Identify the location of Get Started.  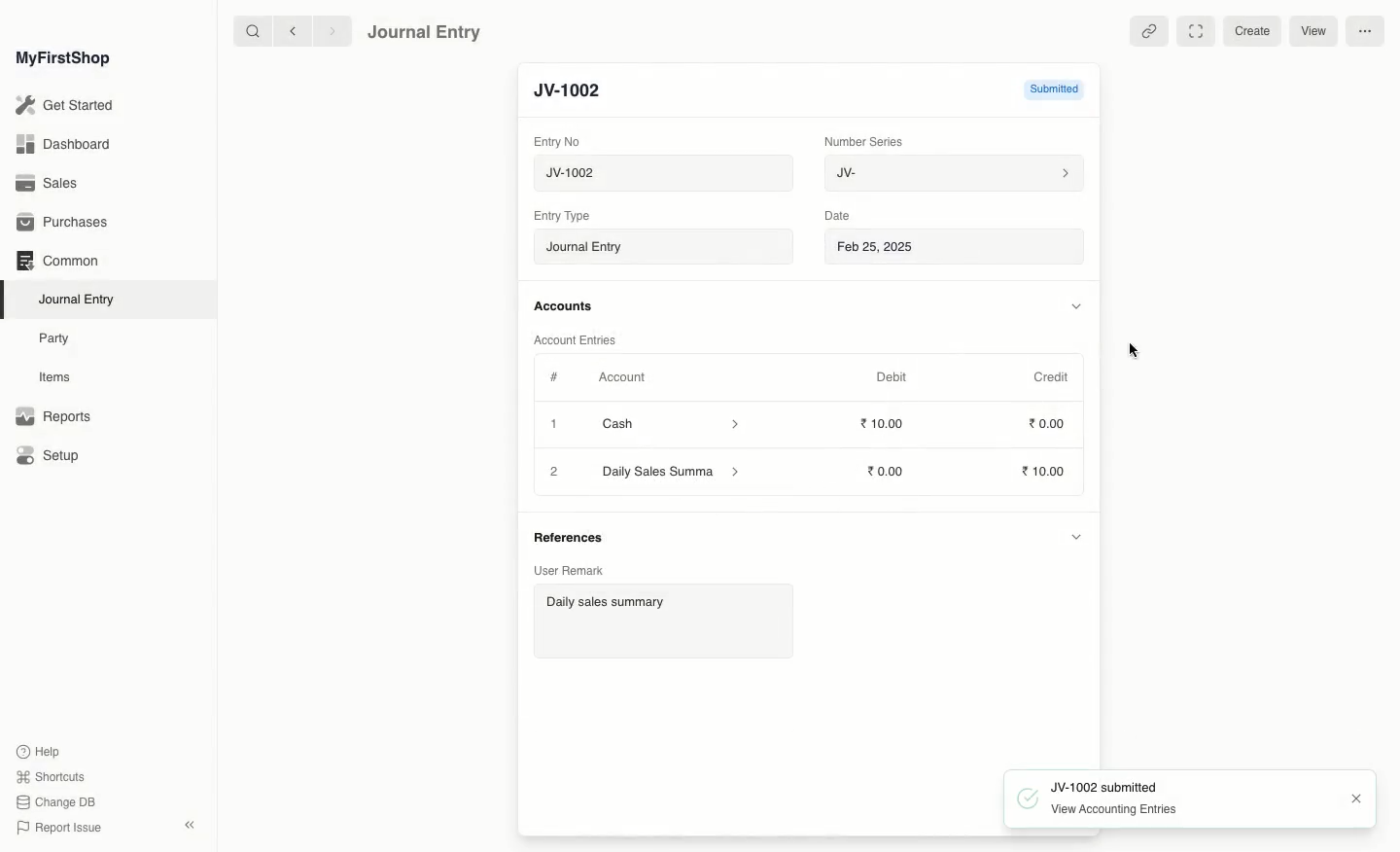
(66, 106).